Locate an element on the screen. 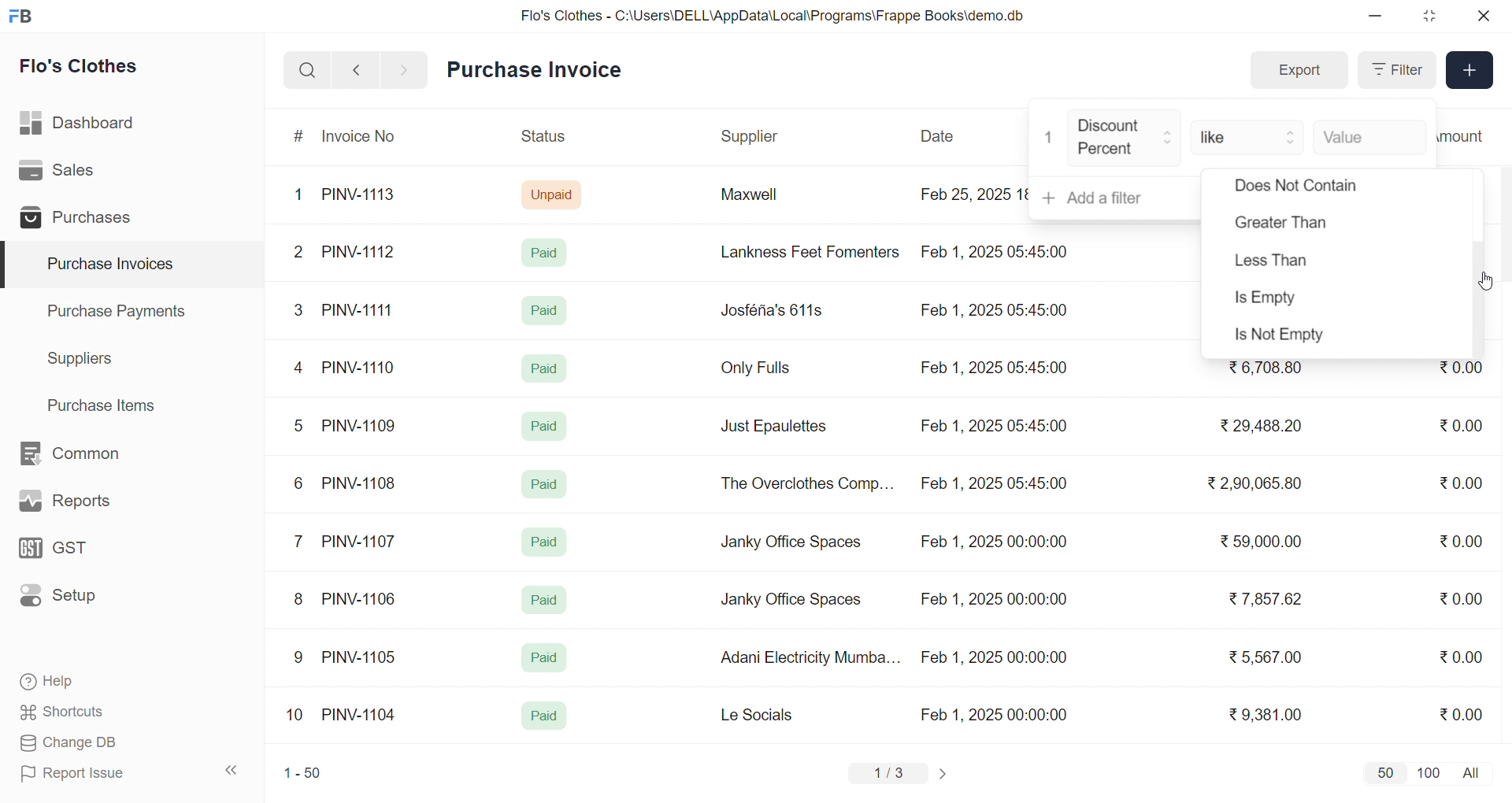 The width and height of the screenshot is (1512, 803). ₹ 59,000.00 is located at coordinates (1266, 543).